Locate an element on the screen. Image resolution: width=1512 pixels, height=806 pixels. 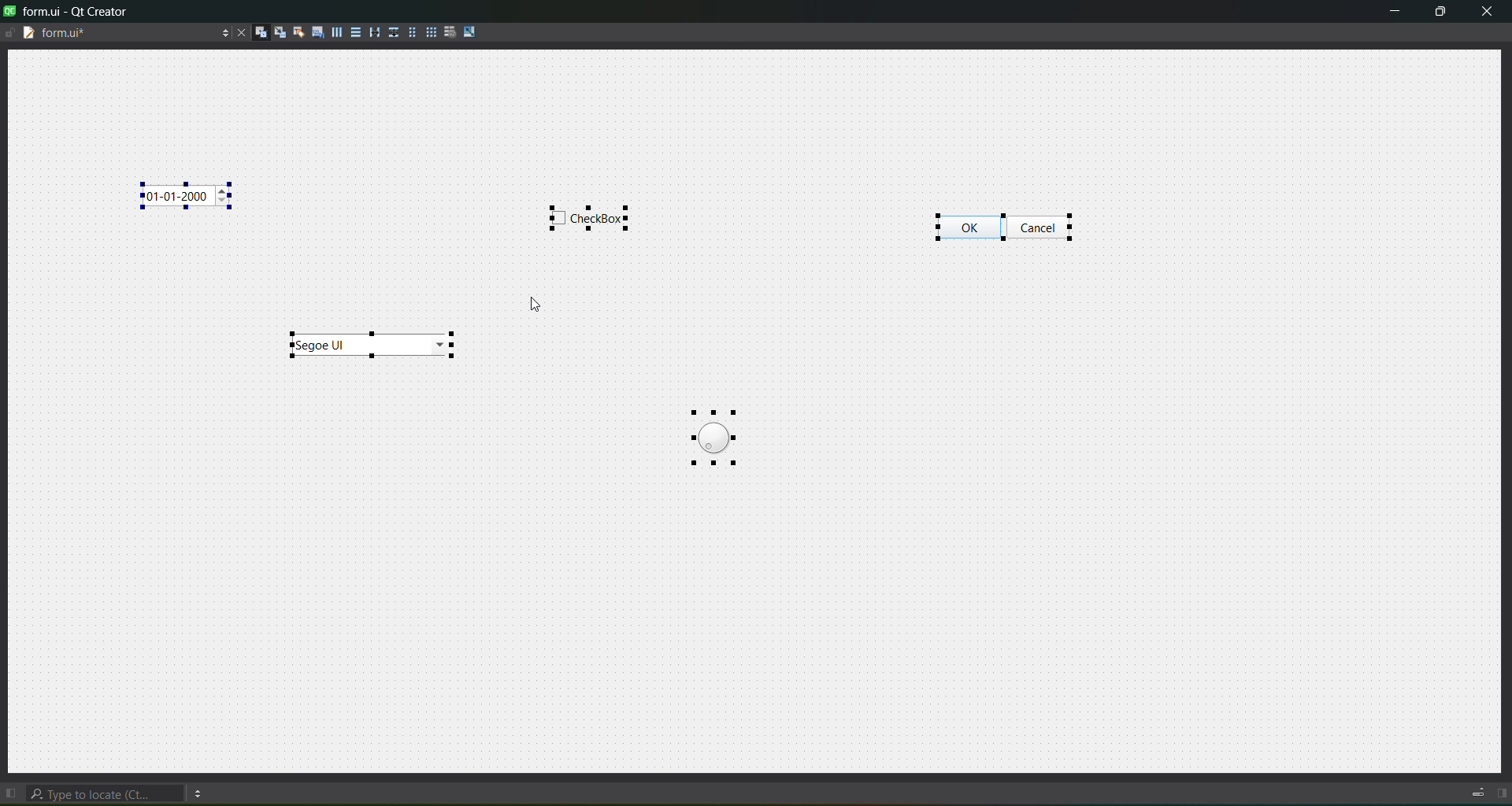
Close is located at coordinates (239, 31).